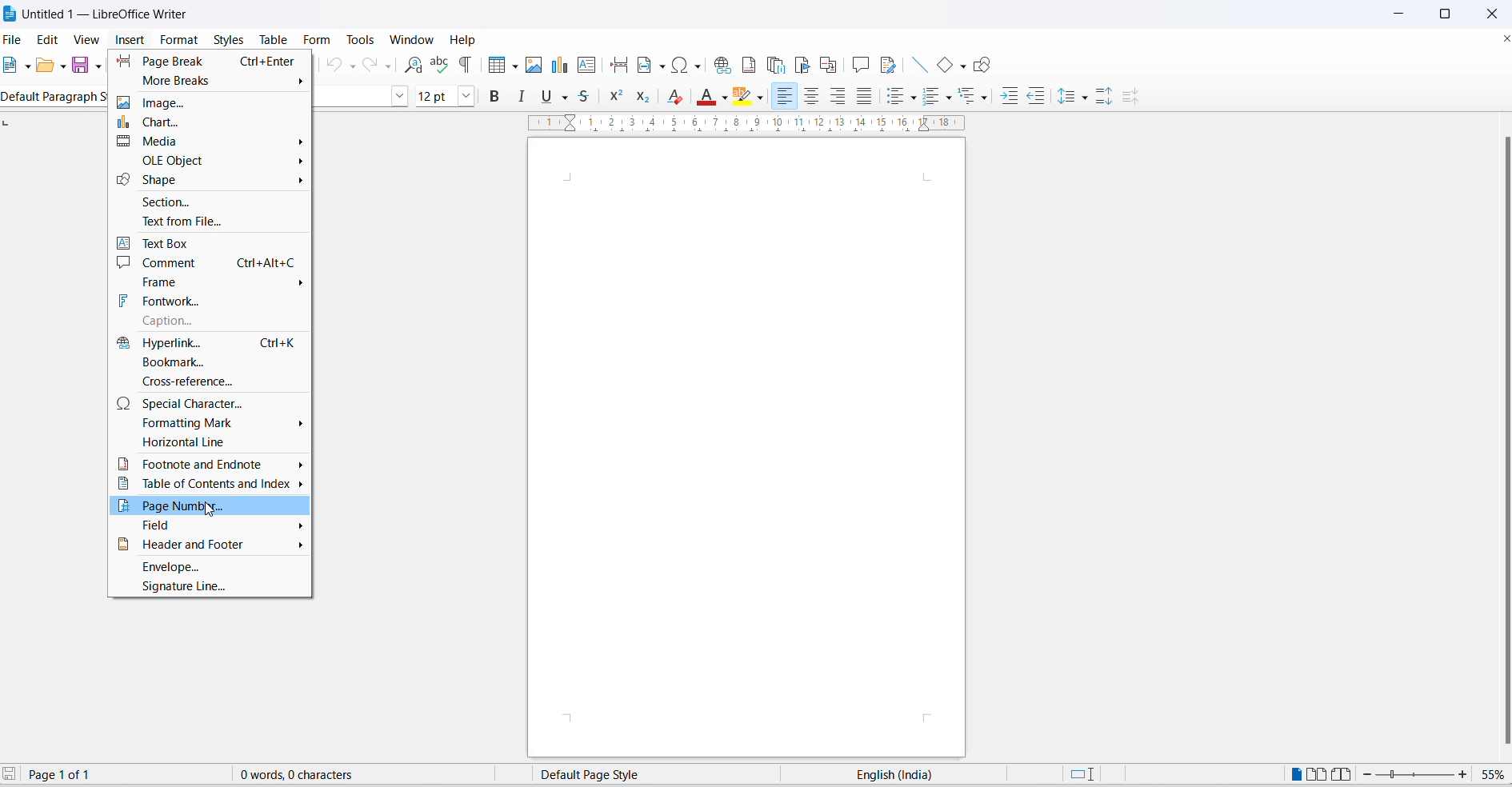 This screenshot has width=1512, height=787. I want to click on toggle ordered list, so click(934, 95).